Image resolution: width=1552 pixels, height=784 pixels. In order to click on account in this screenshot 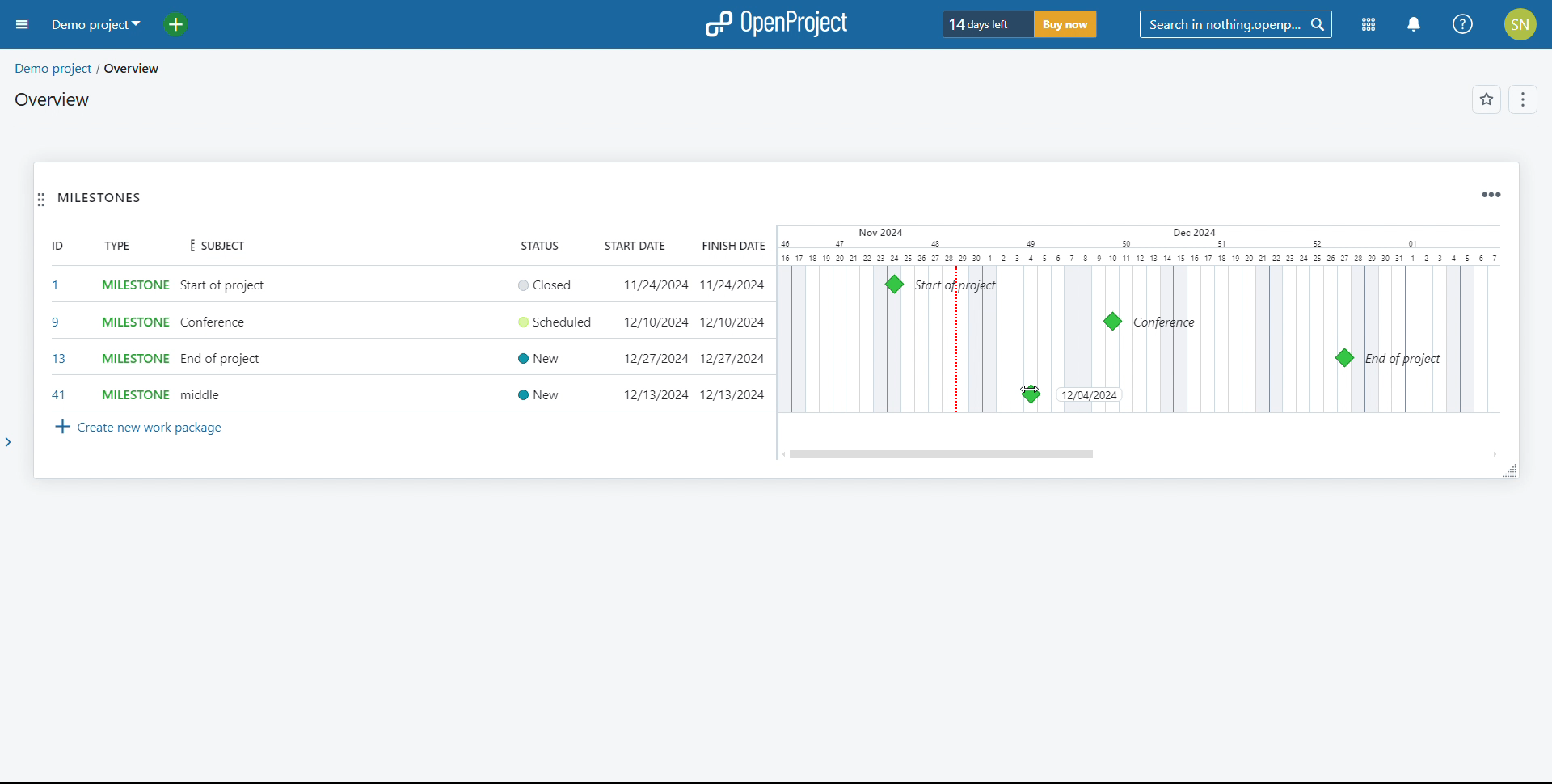, I will do `click(1522, 24)`.